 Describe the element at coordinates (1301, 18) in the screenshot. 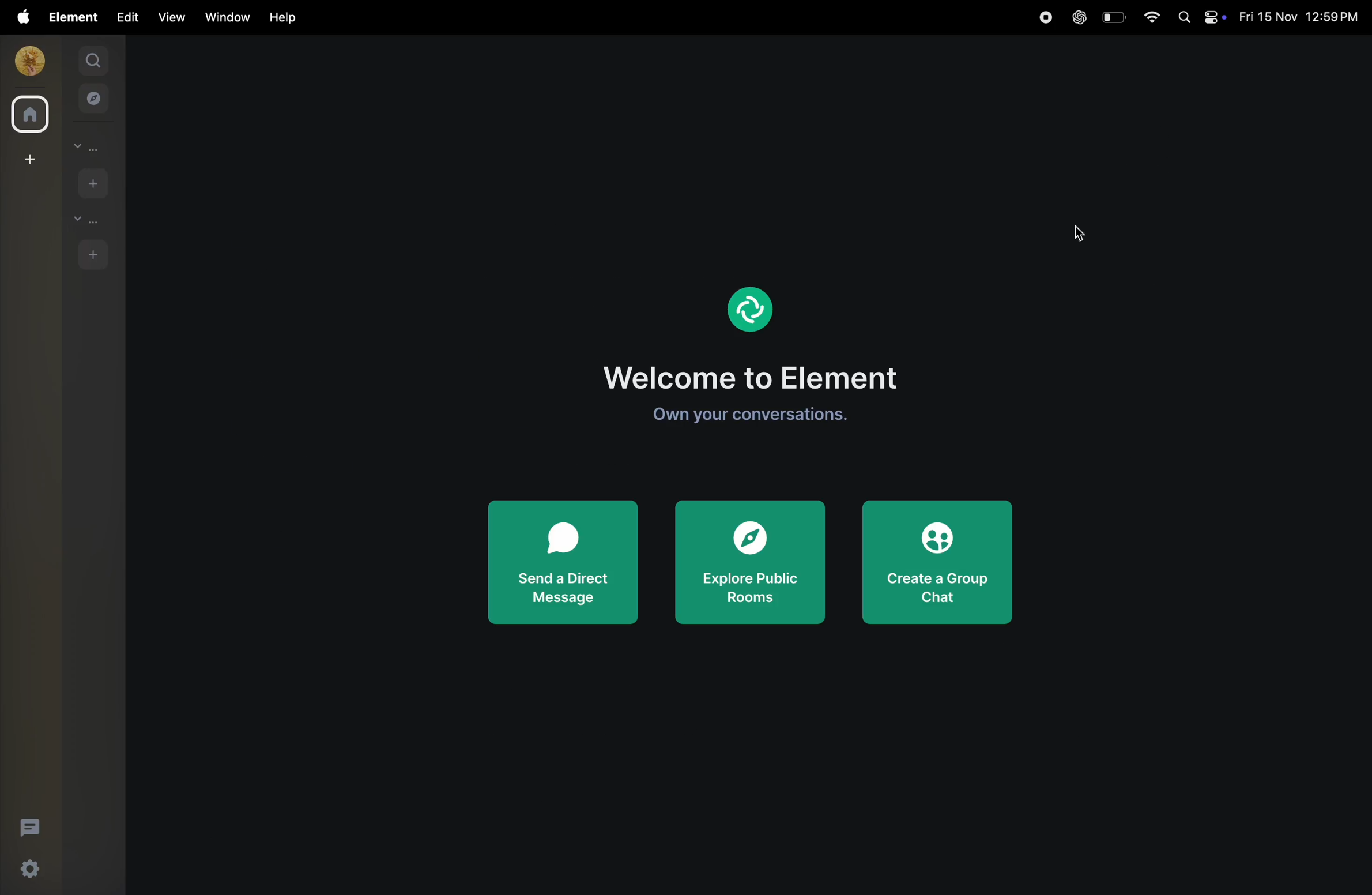

I see `date and time` at that location.